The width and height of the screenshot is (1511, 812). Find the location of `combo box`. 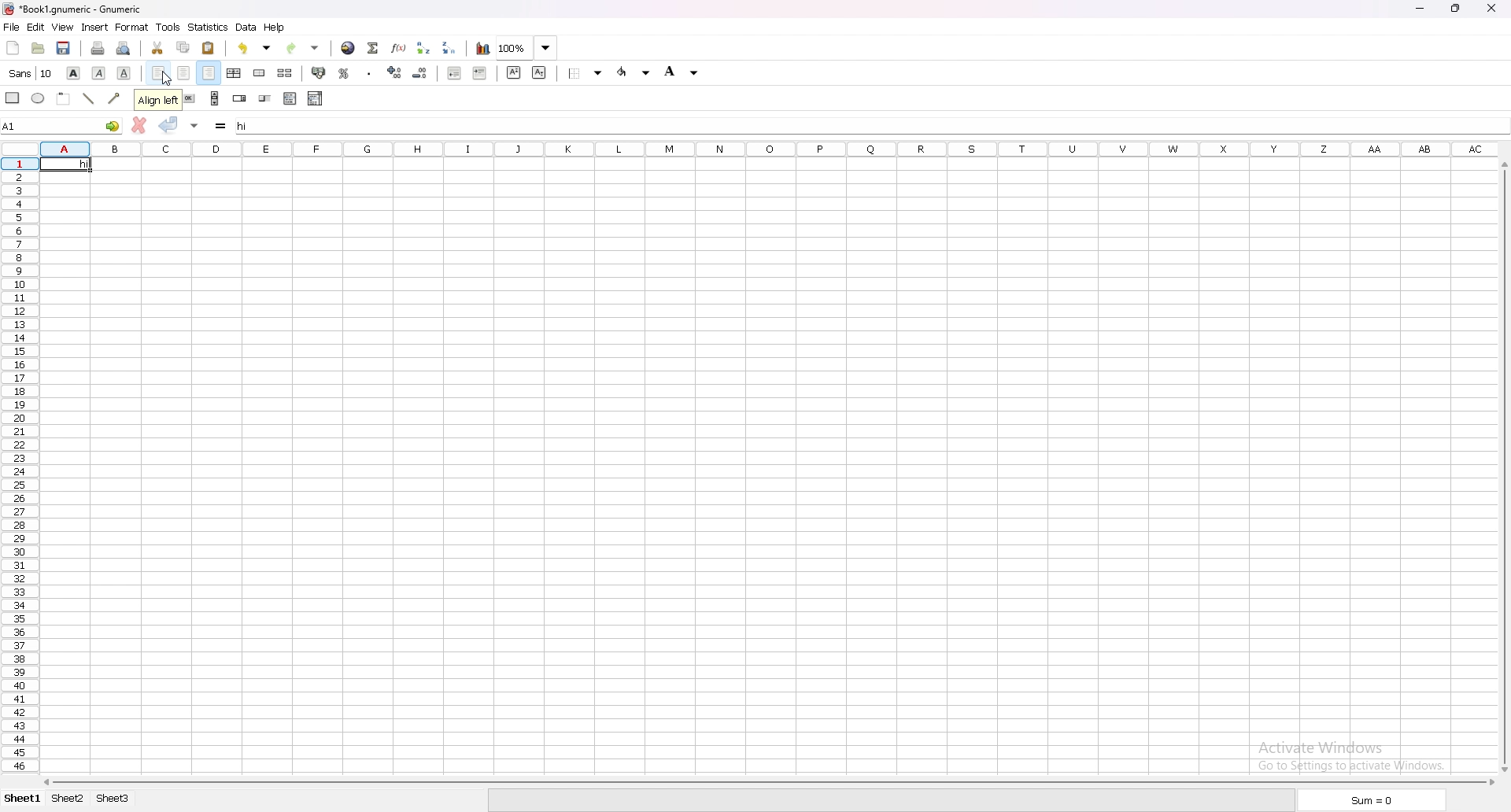

combo box is located at coordinates (316, 98).